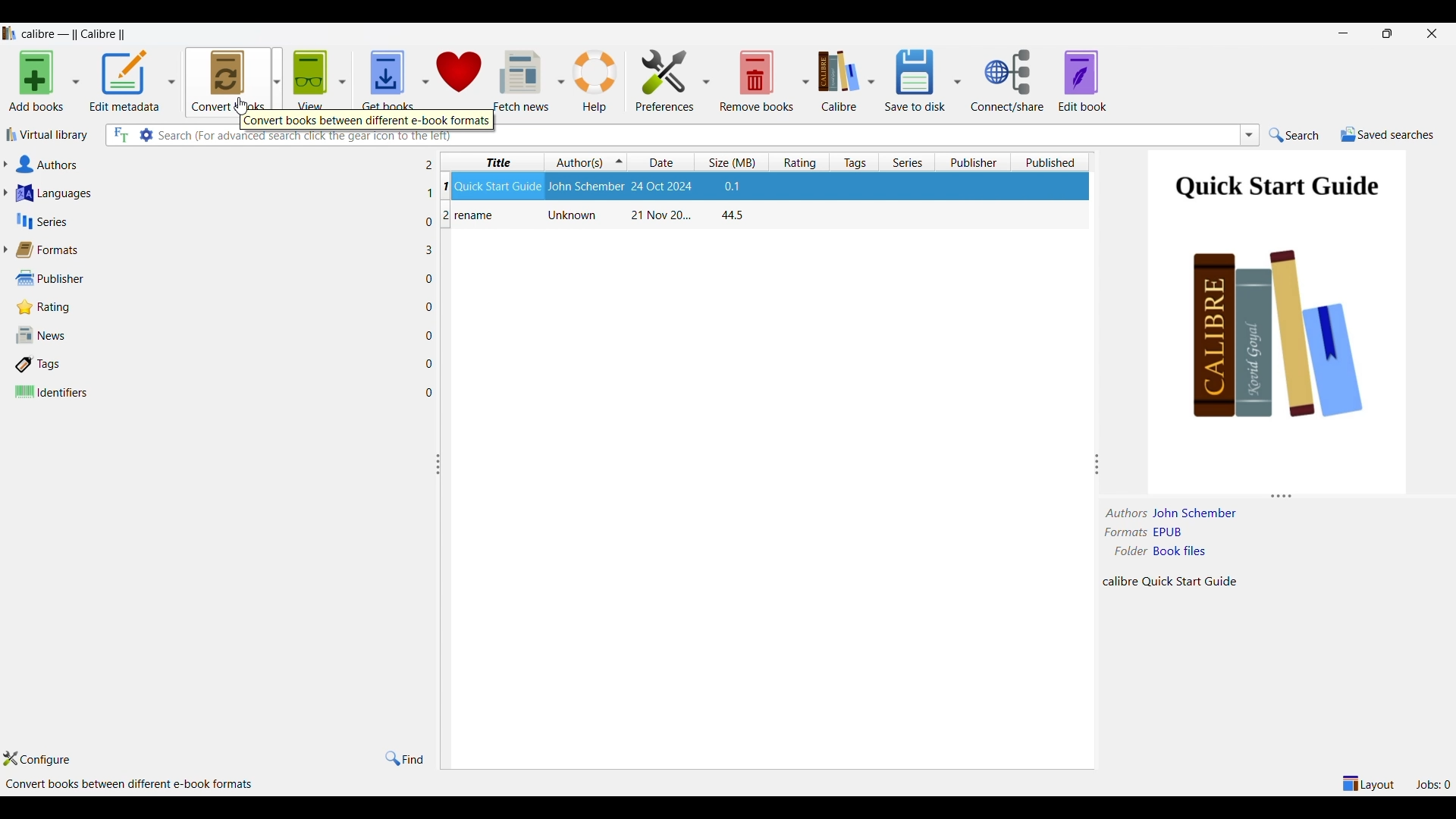 The width and height of the screenshot is (1456, 819). I want to click on Published column, so click(1055, 162).